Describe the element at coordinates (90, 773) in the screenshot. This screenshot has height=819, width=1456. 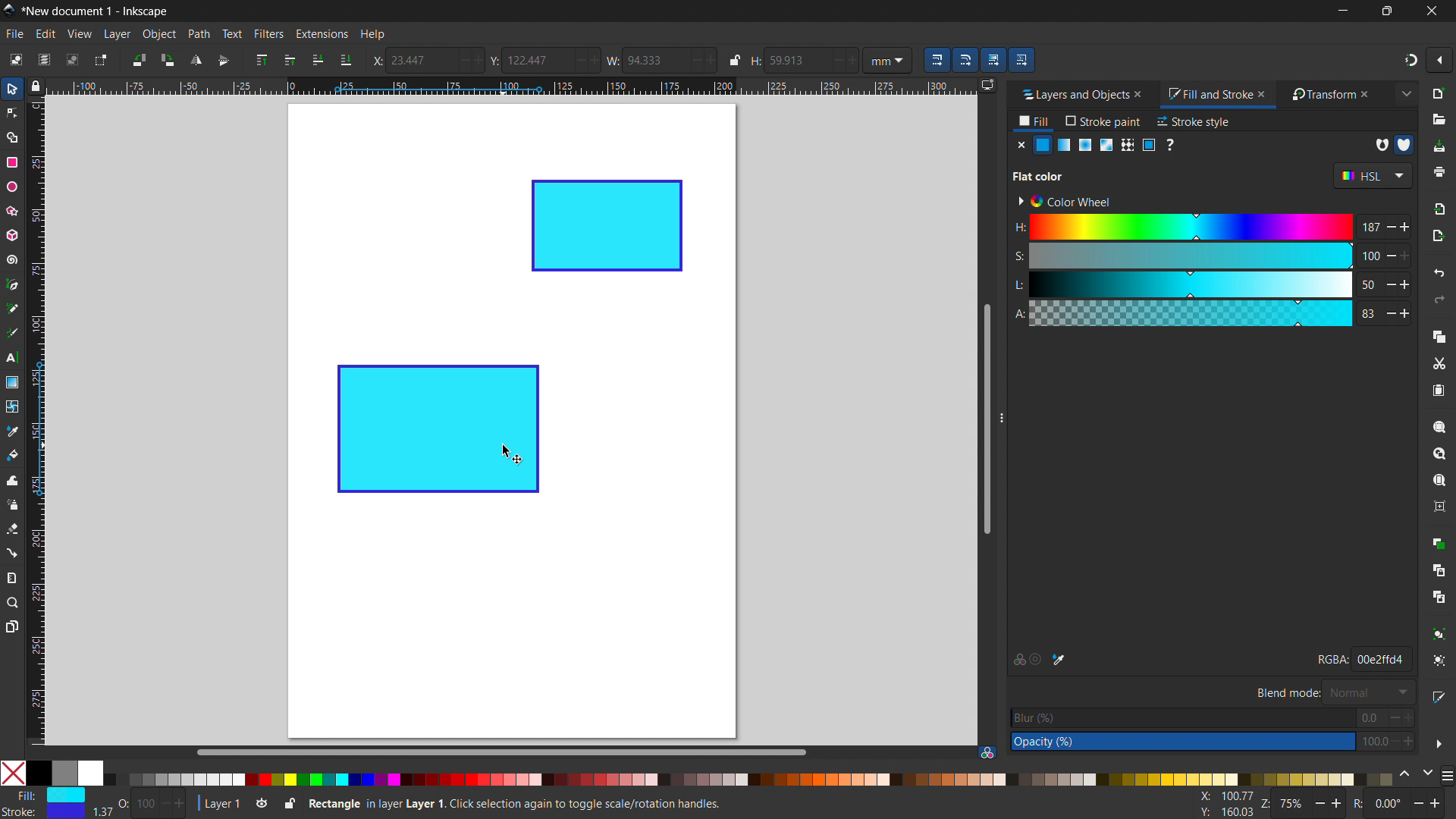
I see `White` at that location.